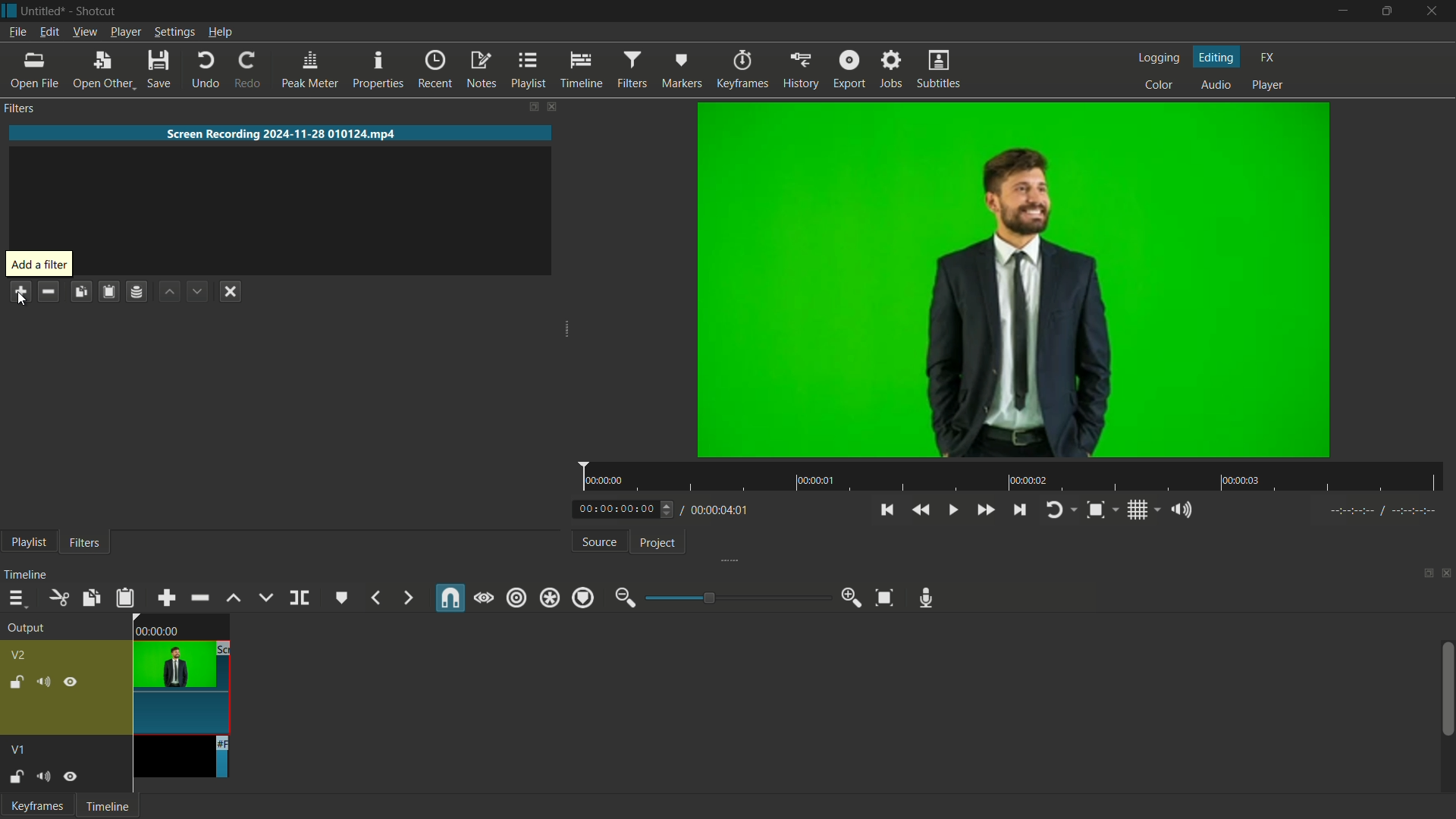 The width and height of the screenshot is (1456, 819). Describe the element at coordinates (16, 33) in the screenshot. I see `file menu` at that location.